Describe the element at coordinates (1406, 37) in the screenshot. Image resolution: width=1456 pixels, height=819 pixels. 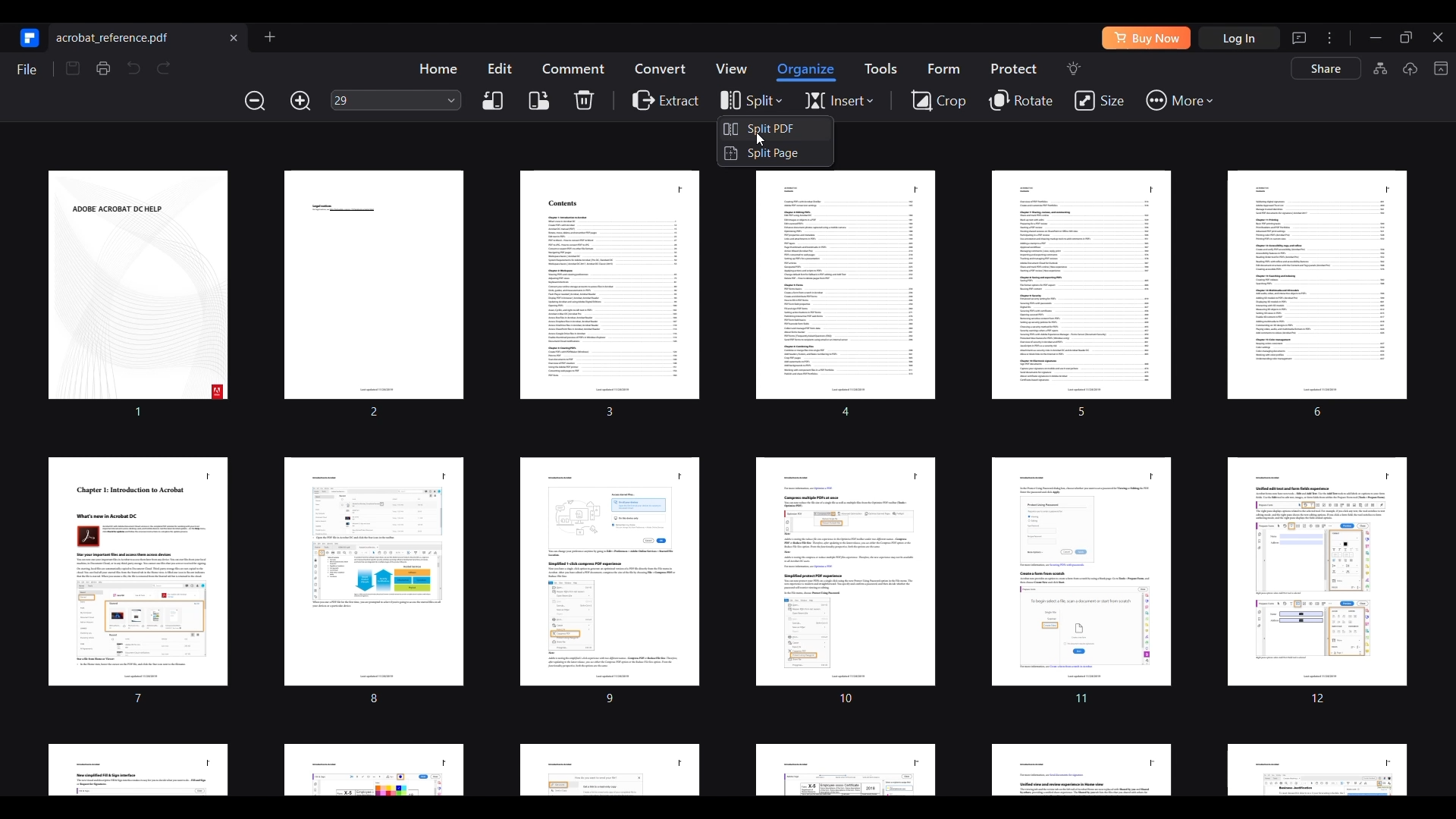
I see `Show interface in a smaller tab` at that location.